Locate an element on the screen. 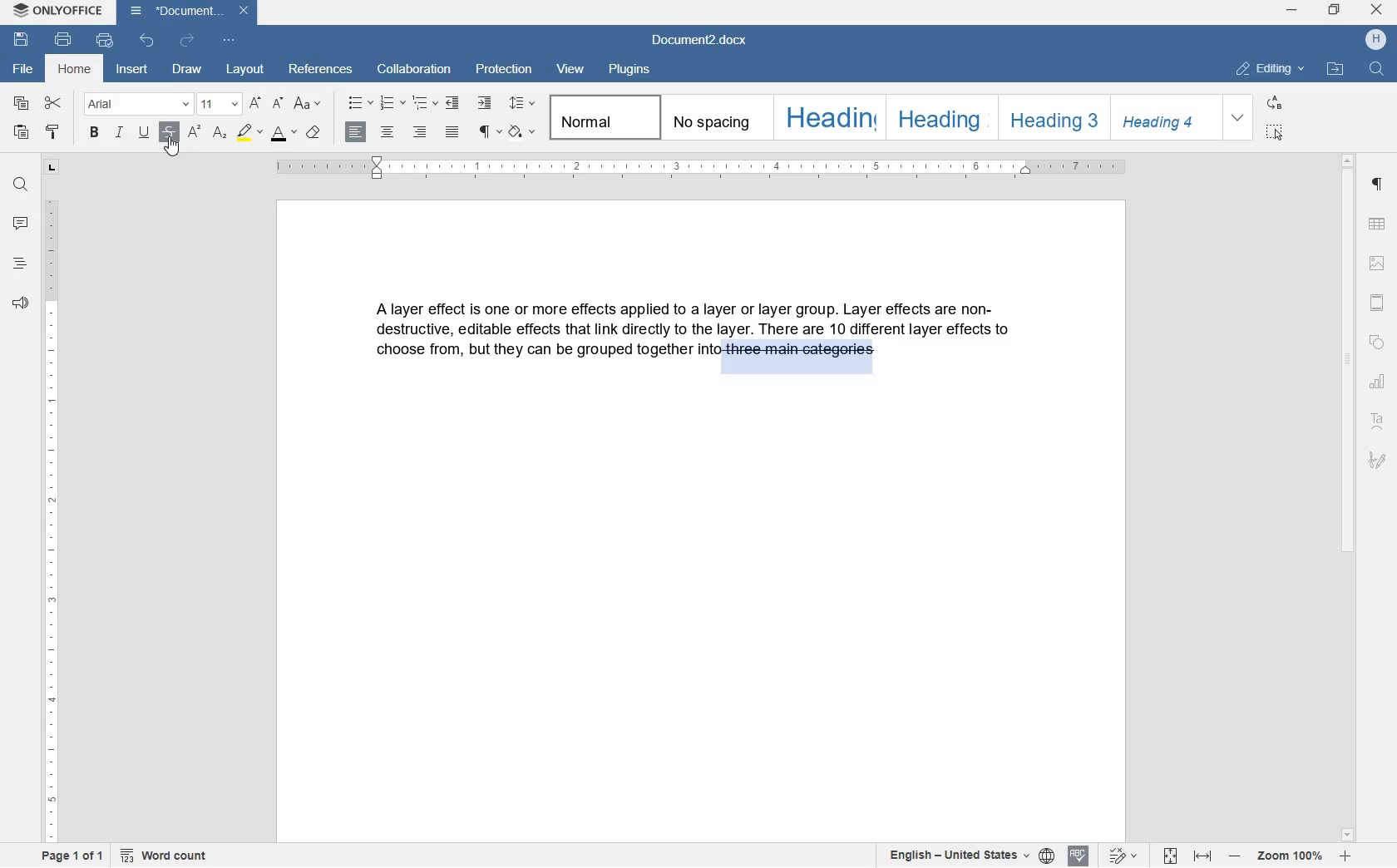 This screenshot has height=868, width=1397. document2.docx is located at coordinates (187, 12).